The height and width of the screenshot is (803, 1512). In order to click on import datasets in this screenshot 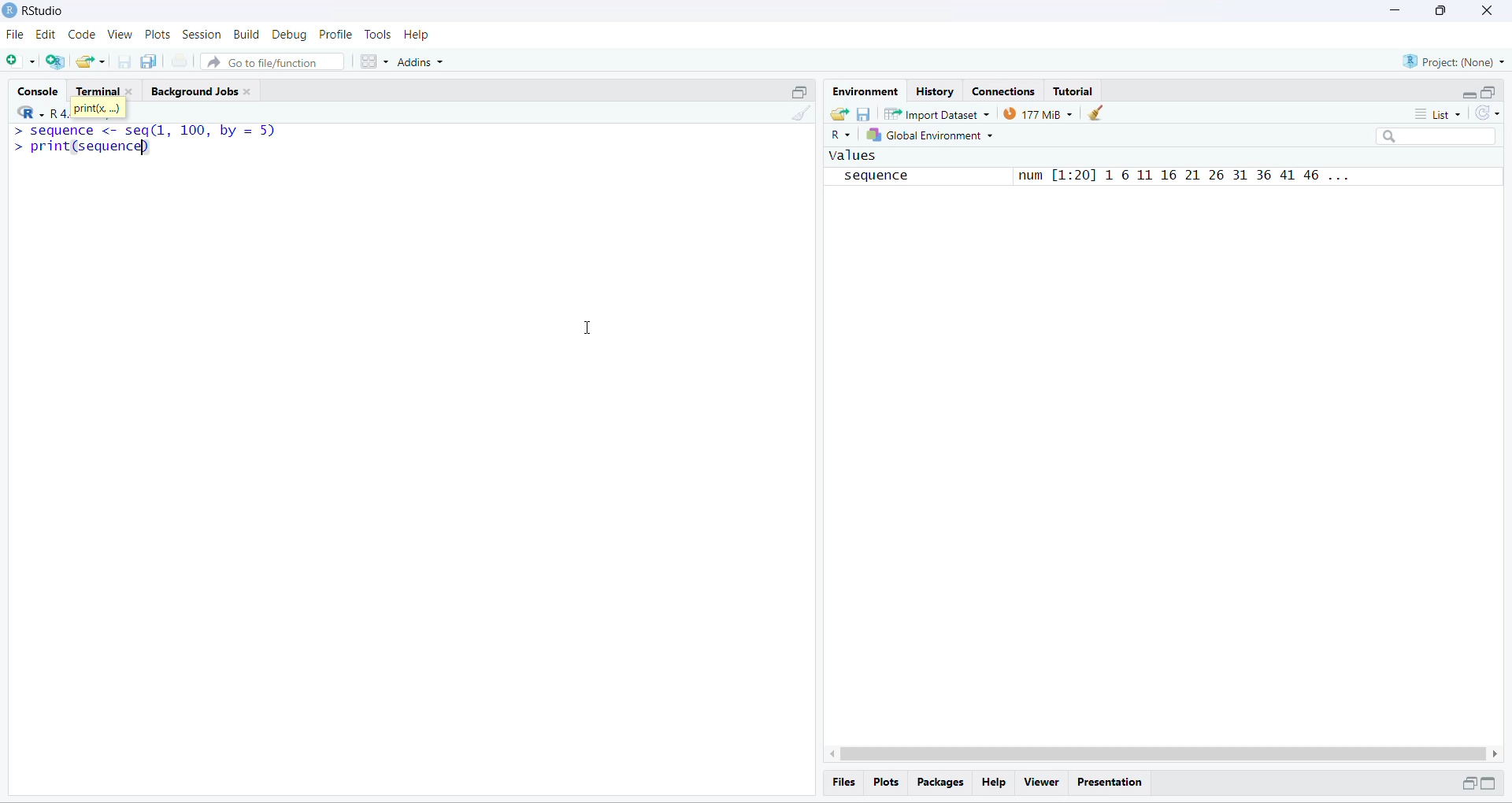, I will do `click(938, 113)`.